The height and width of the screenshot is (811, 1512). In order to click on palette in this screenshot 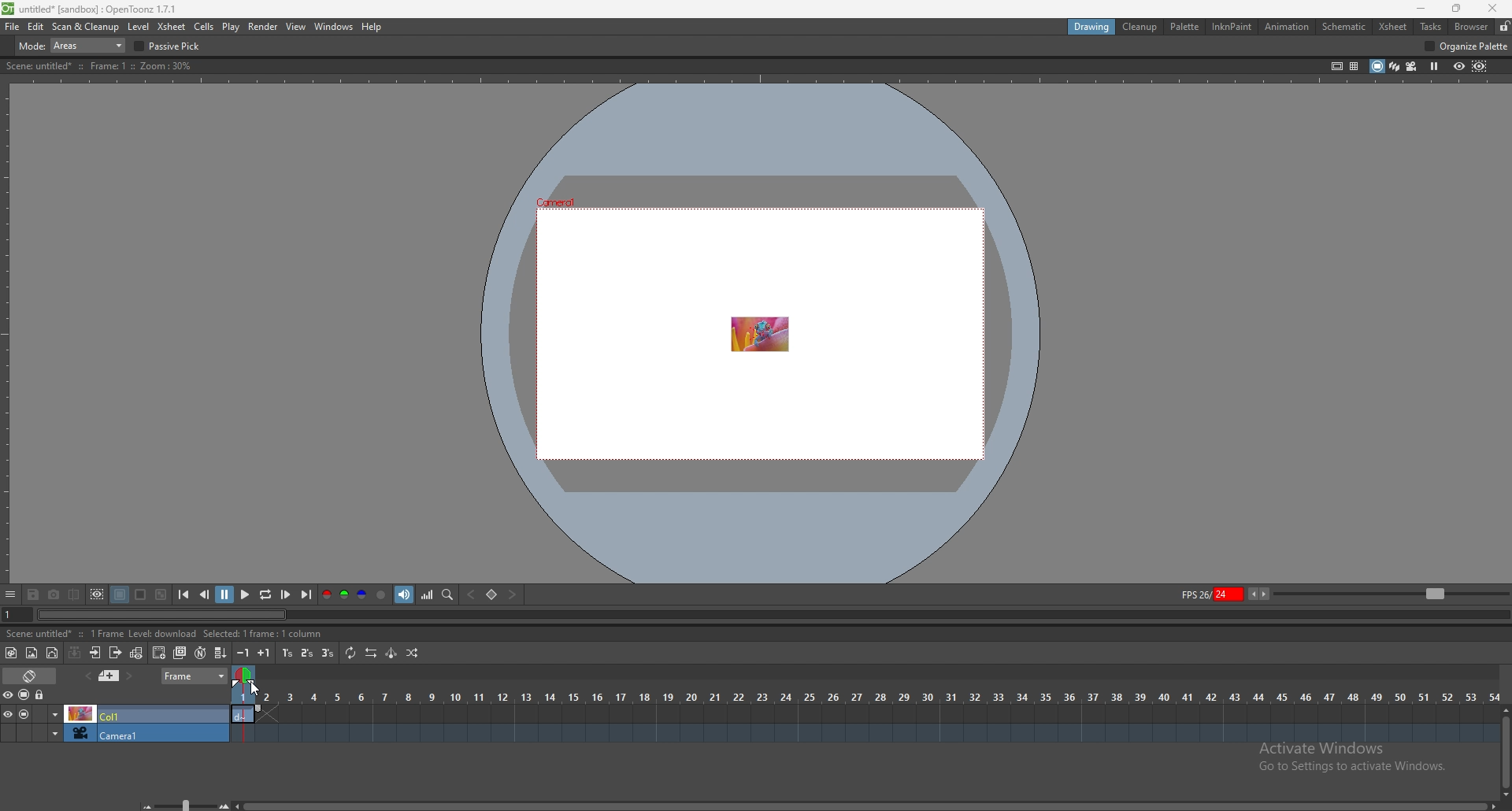, I will do `click(1186, 27)`.